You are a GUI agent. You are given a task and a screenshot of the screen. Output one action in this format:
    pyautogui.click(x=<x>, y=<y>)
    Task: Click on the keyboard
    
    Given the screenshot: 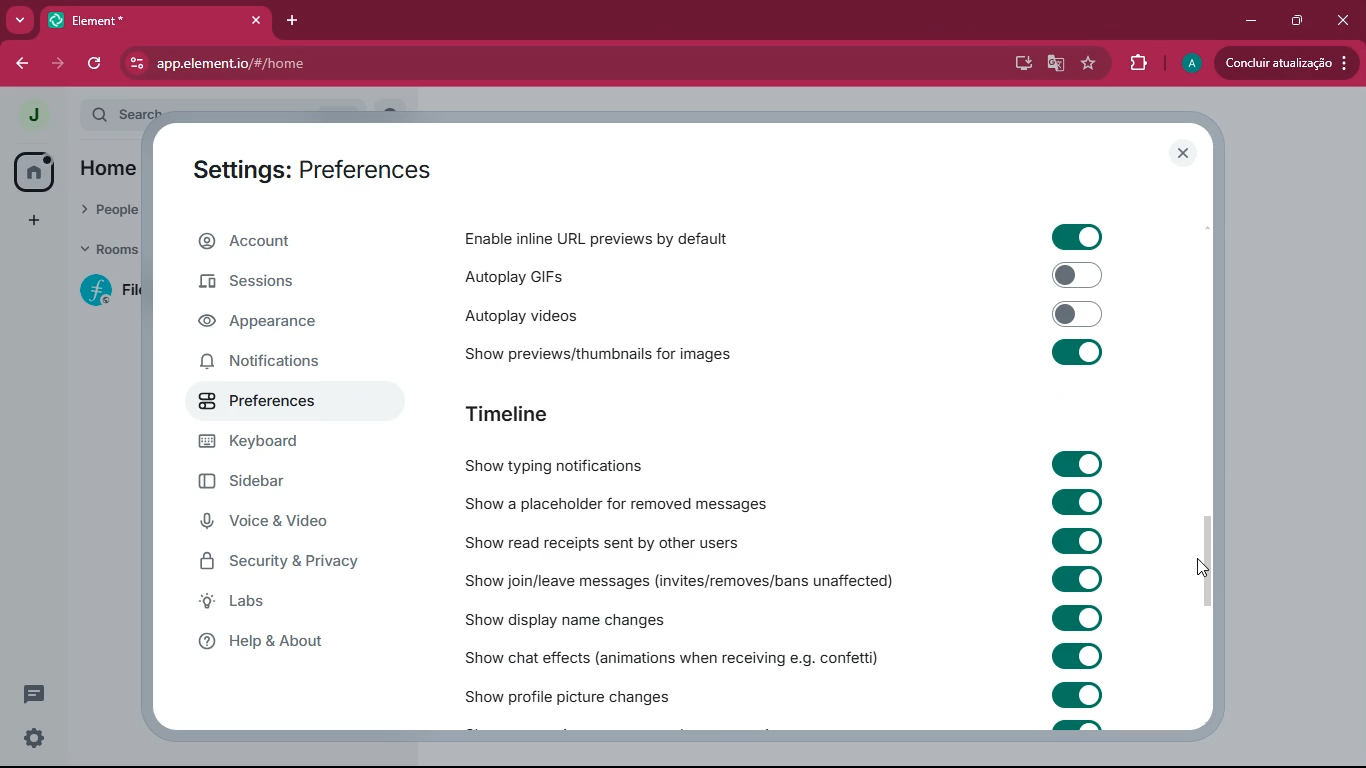 What is the action you would take?
    pyautogui.click(x=262, y=443)
    